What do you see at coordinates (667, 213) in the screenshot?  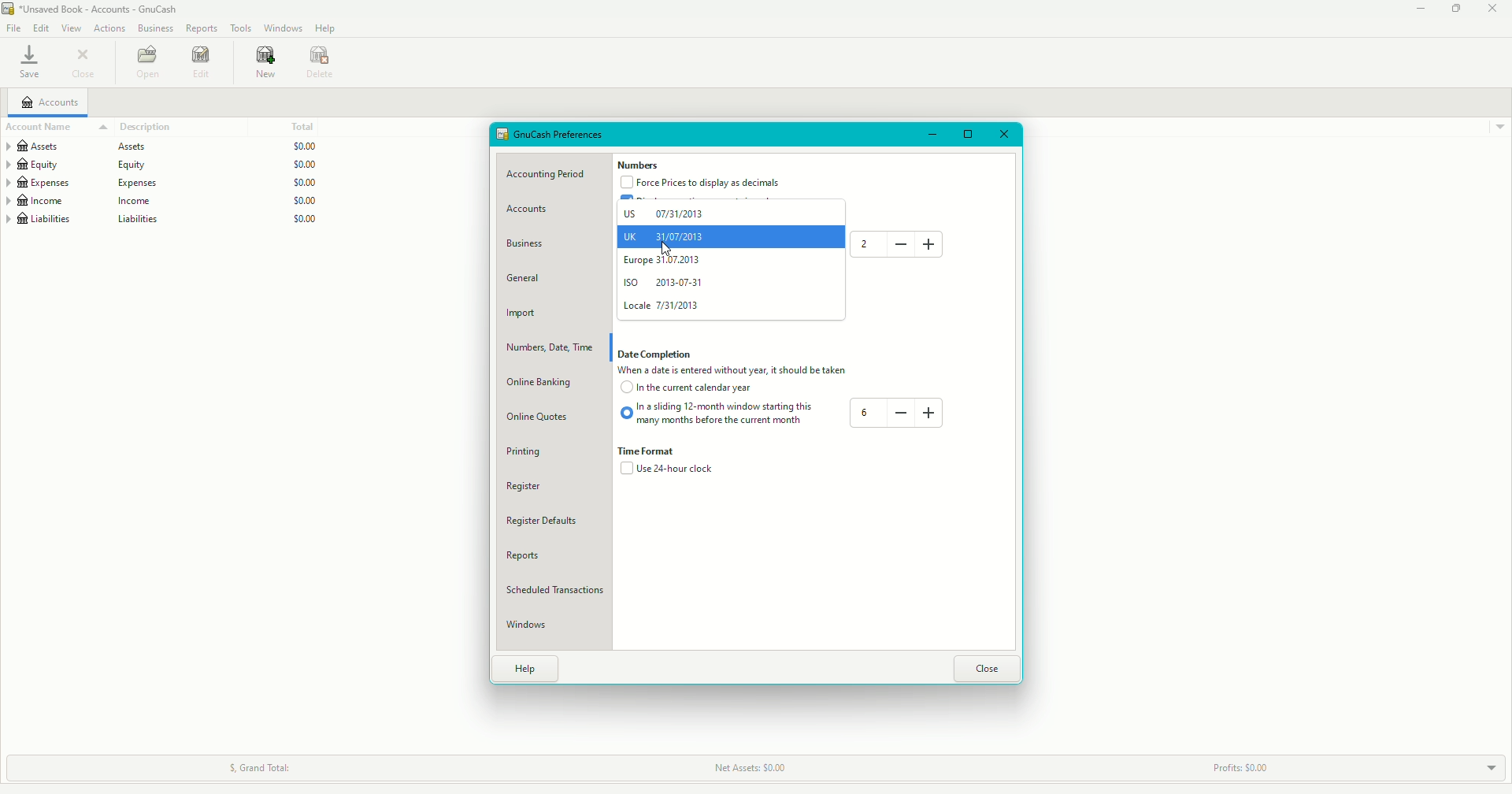 I see `US` at bounding box center [667, 213].